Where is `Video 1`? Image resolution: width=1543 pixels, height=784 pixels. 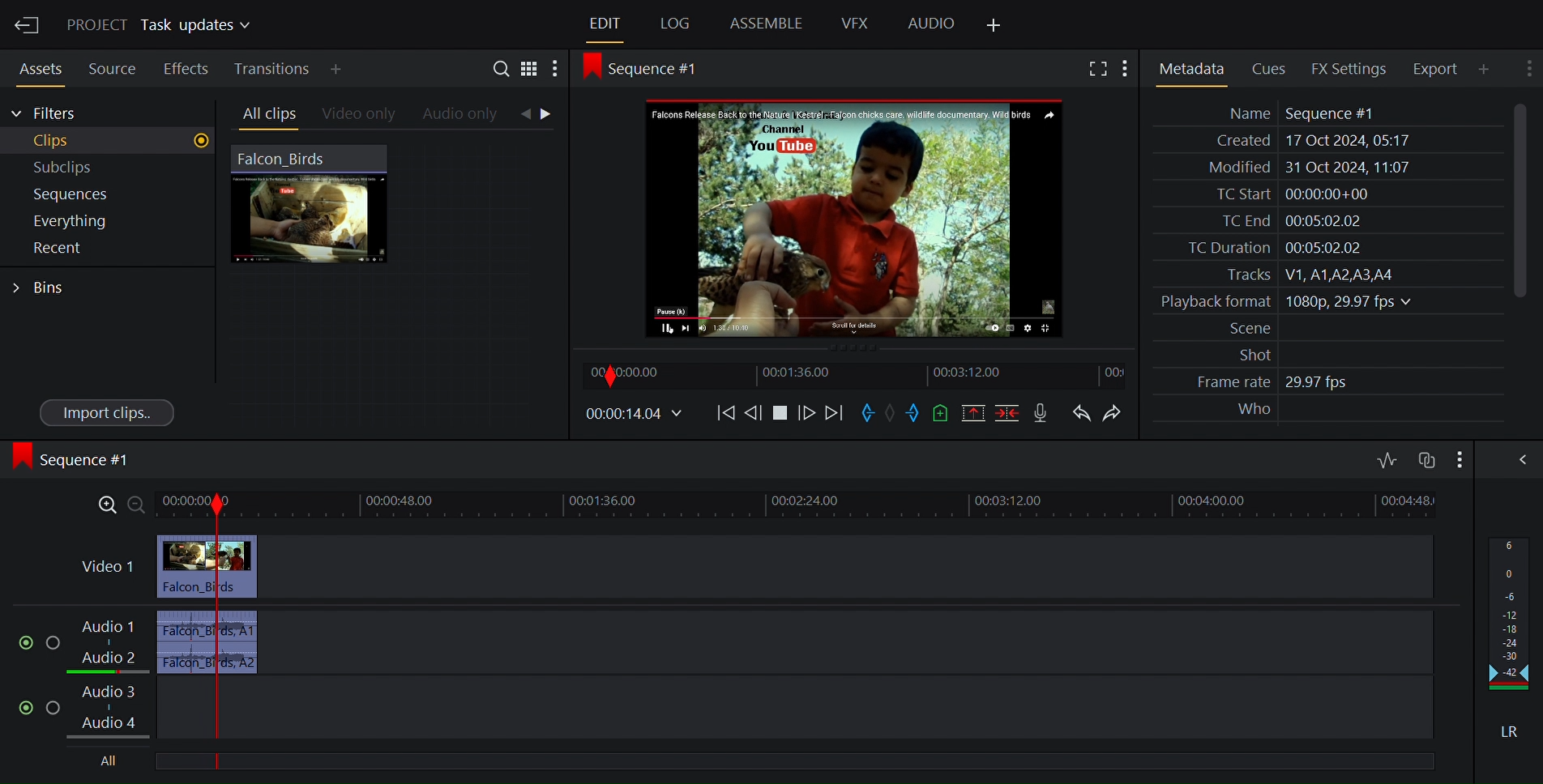 Video 1 is located at coordinates (105, 568).